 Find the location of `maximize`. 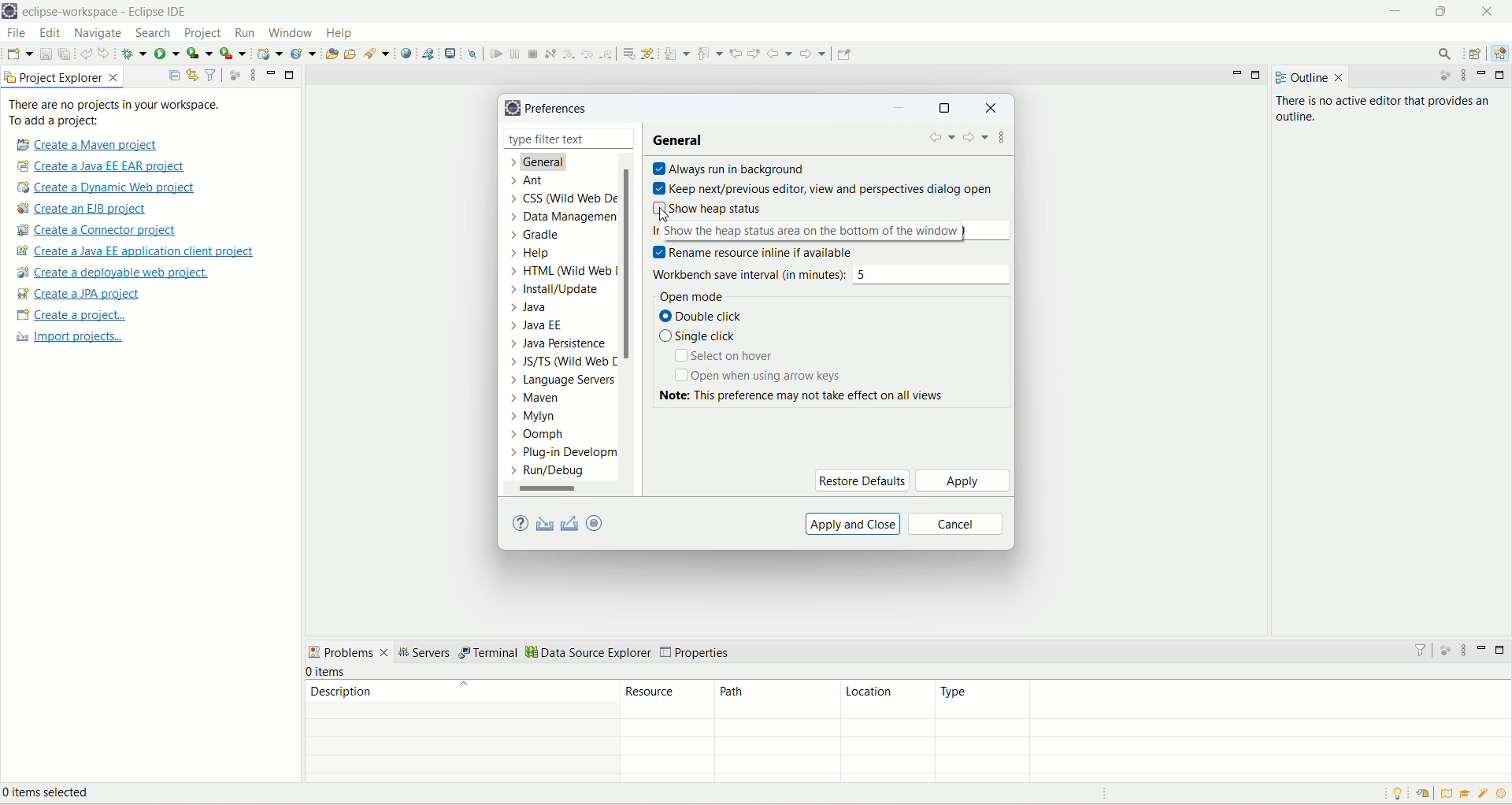

maximize is located at coordinates (291, 76).